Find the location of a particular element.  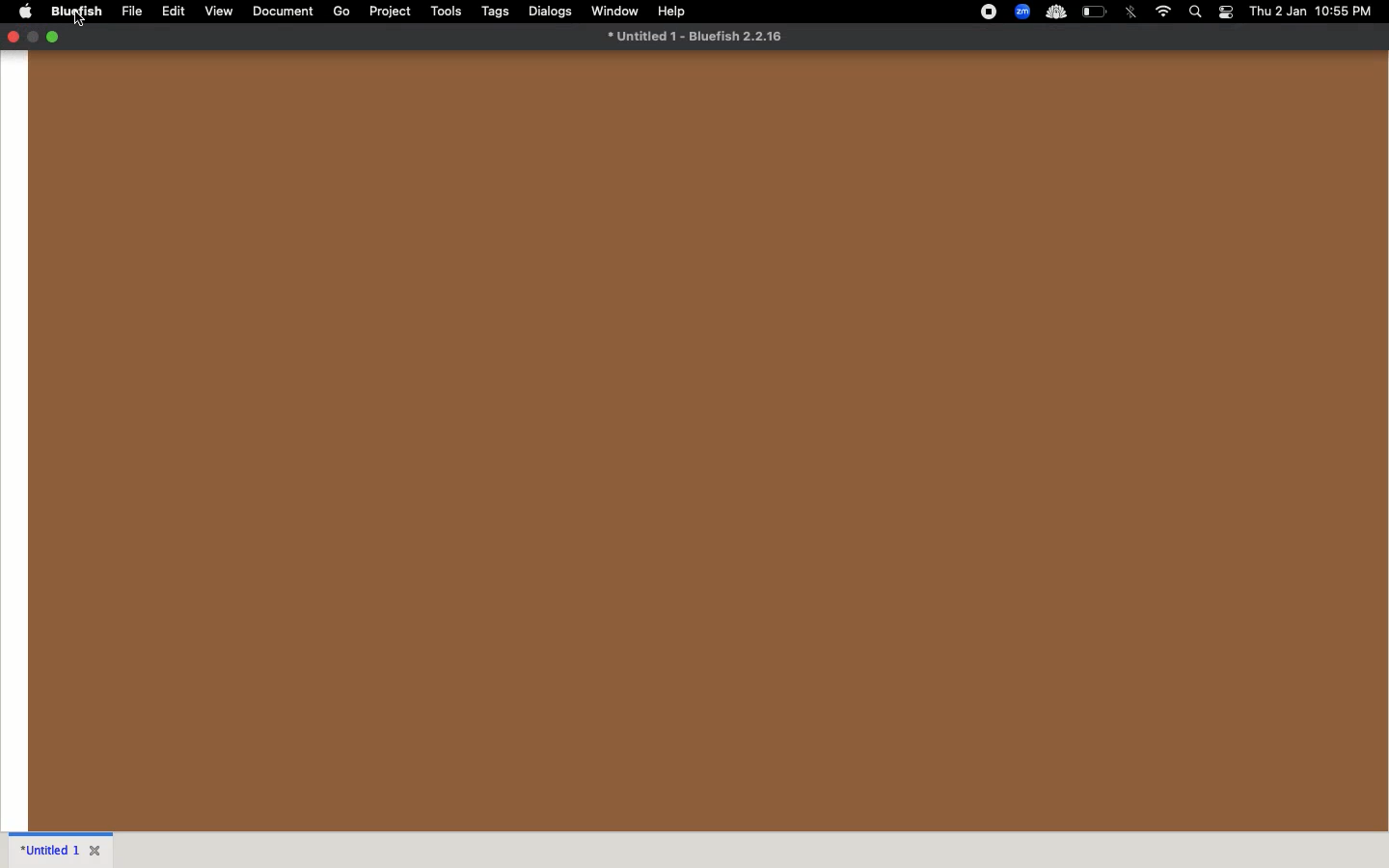

Zoom video calling application is located at coordinates (1023, 12).